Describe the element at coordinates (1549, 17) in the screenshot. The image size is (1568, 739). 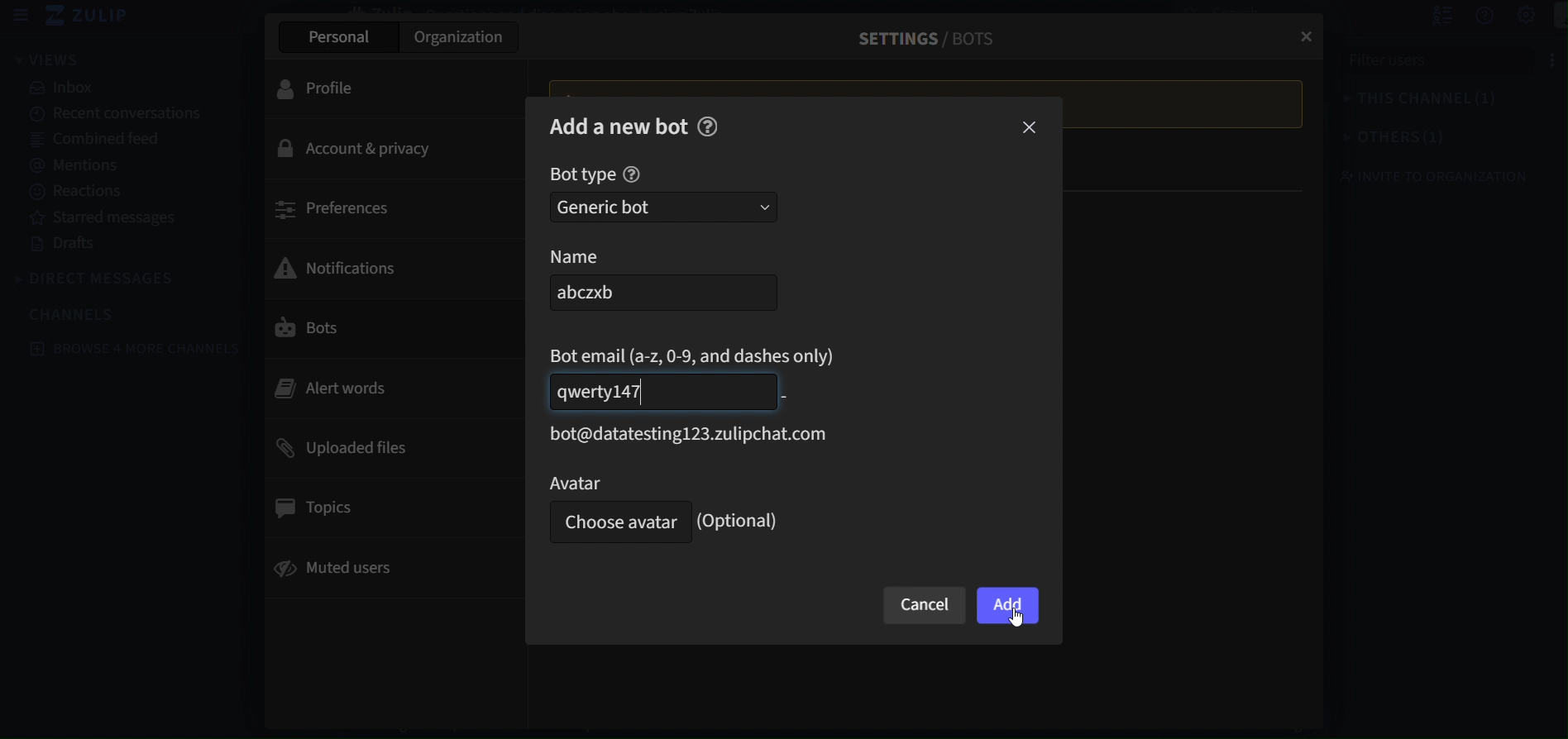
I see `main menu` at that location.